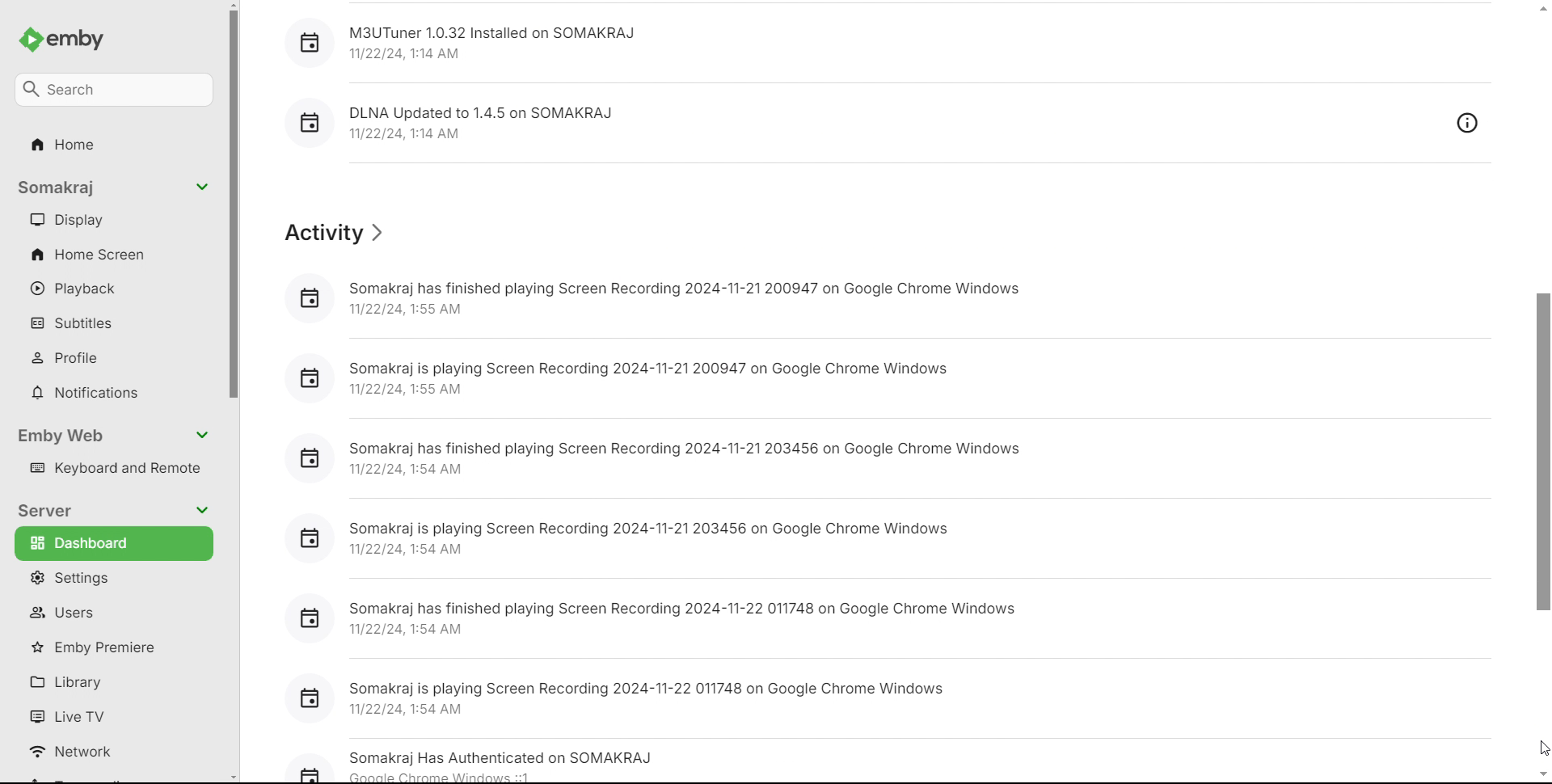  What do you see at coordinates (113, 750) in the screenshot?
I see `network` at bounding box center [113, 750].